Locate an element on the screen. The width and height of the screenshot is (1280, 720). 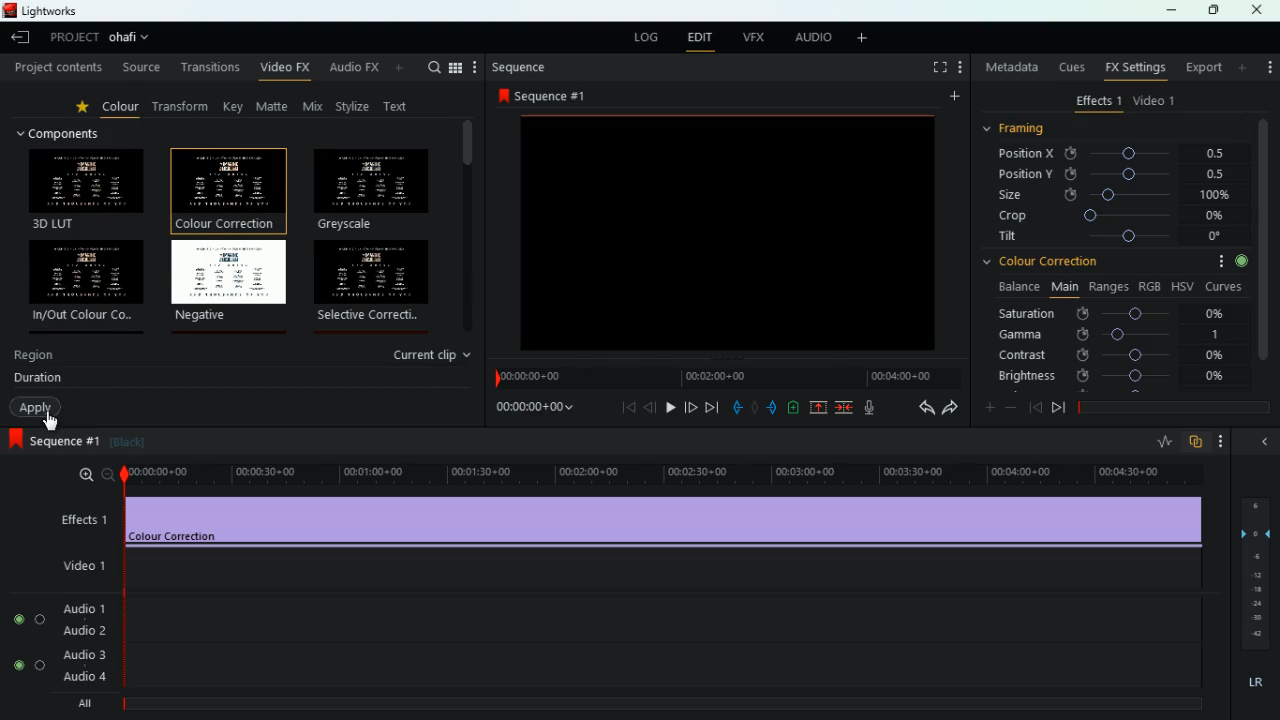
more is located at coordinates (953, 95).